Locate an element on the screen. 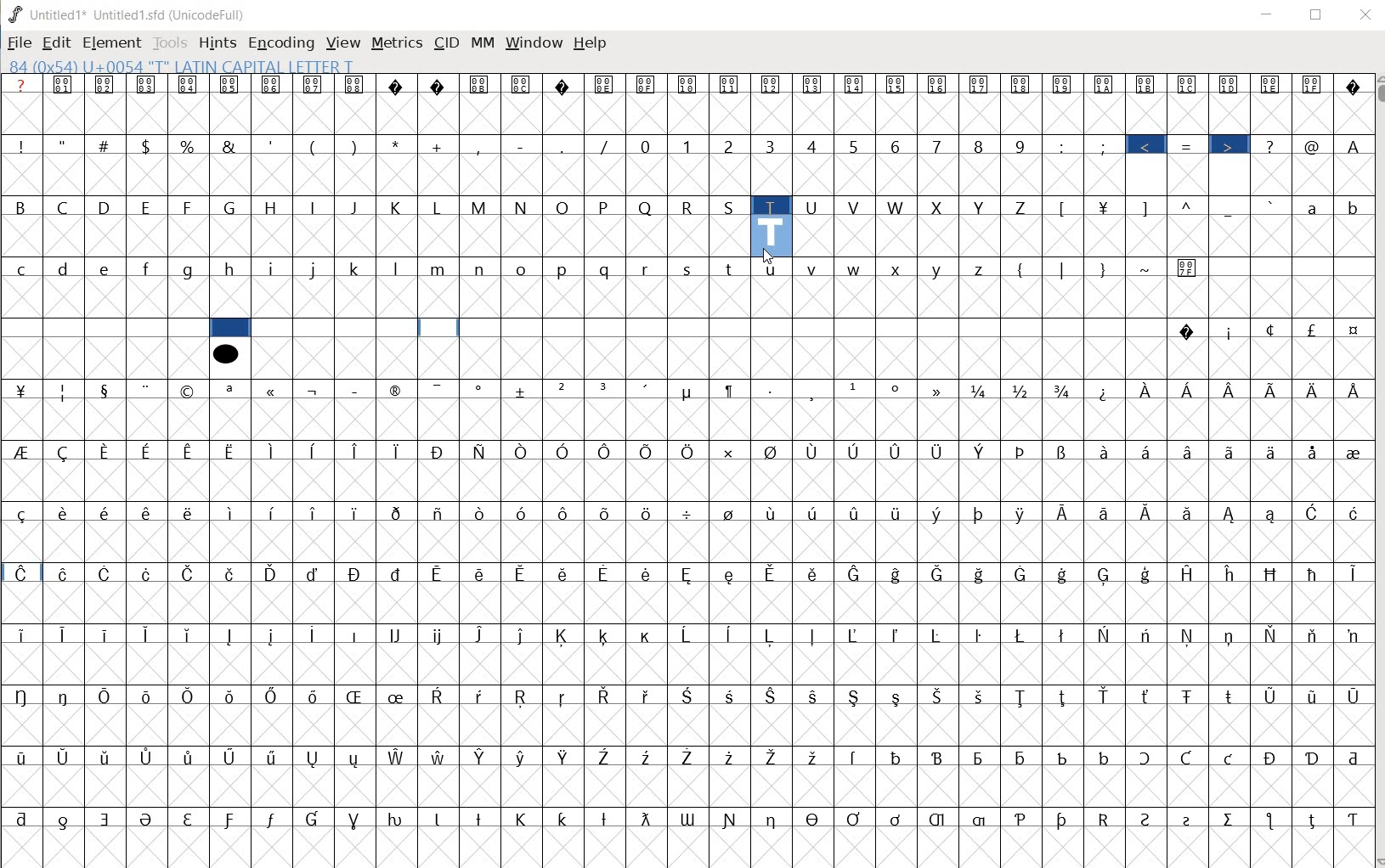 The height and width of the screenshot is (868, 1385). Symbol is located at coordinates (150, 757).